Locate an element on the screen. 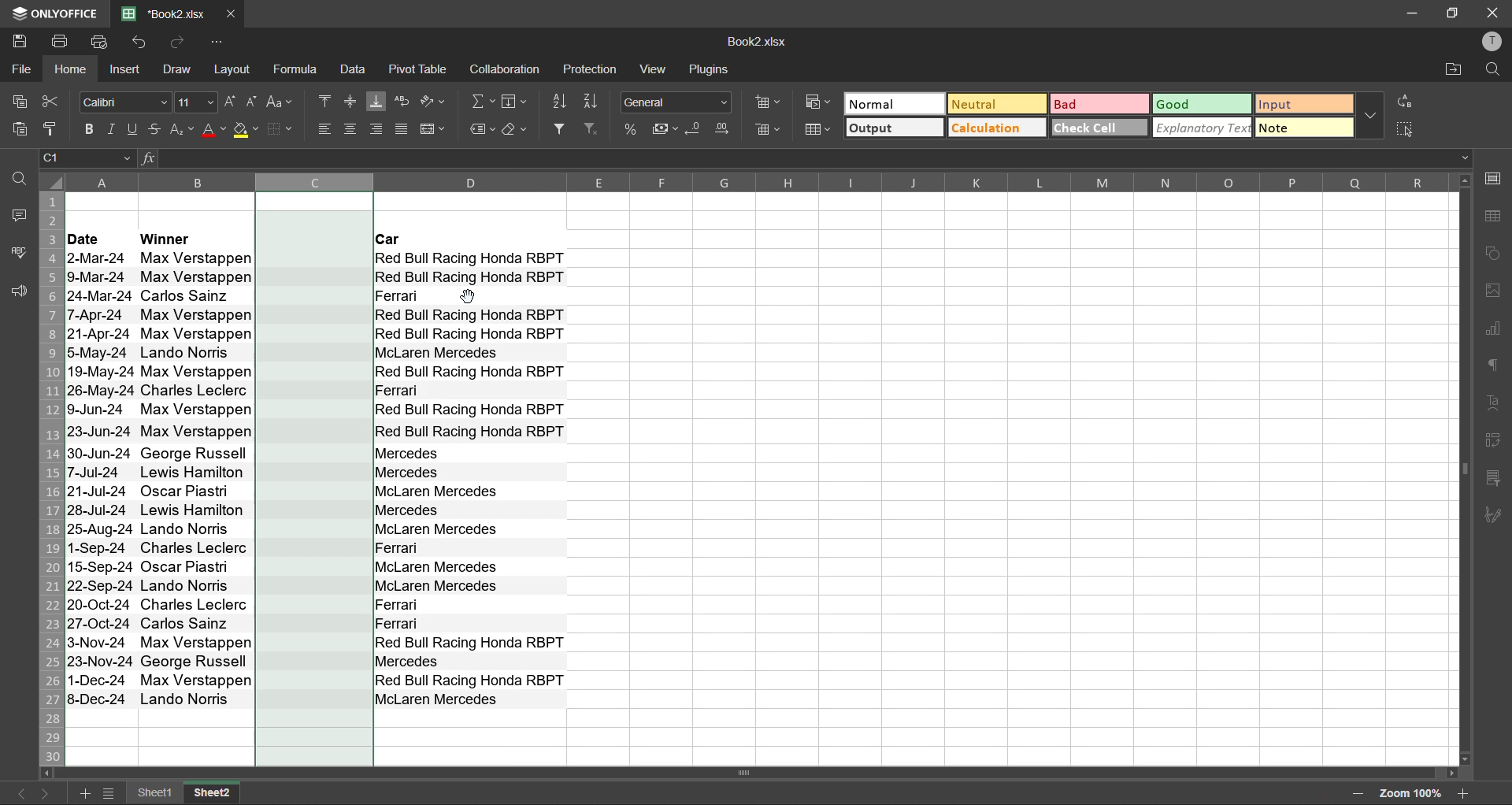 Image resolution: width=1512 pixels, height=805 pixels. new column inserted is located at coordinates (314, 478).